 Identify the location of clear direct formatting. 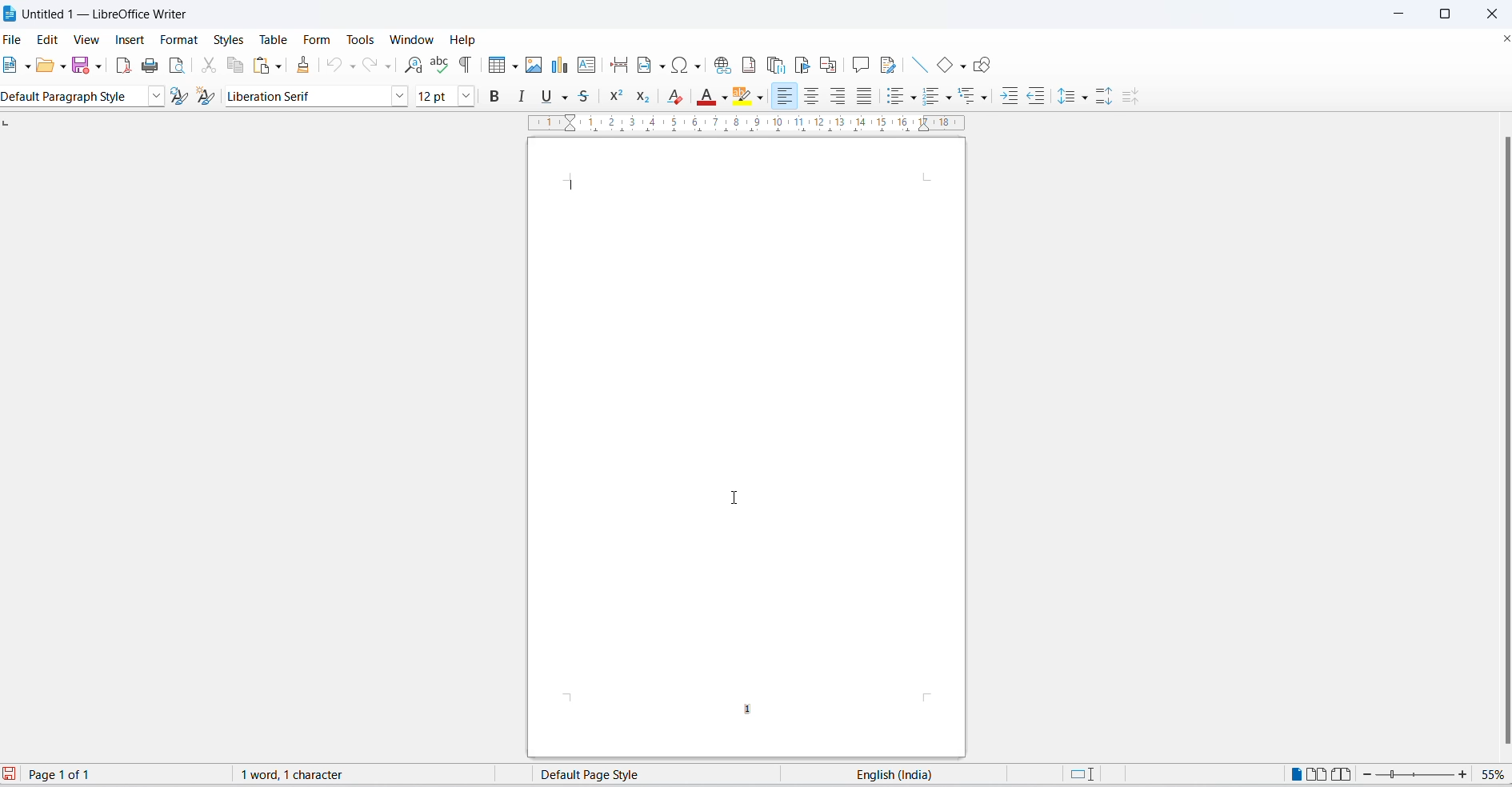
(678, 97).